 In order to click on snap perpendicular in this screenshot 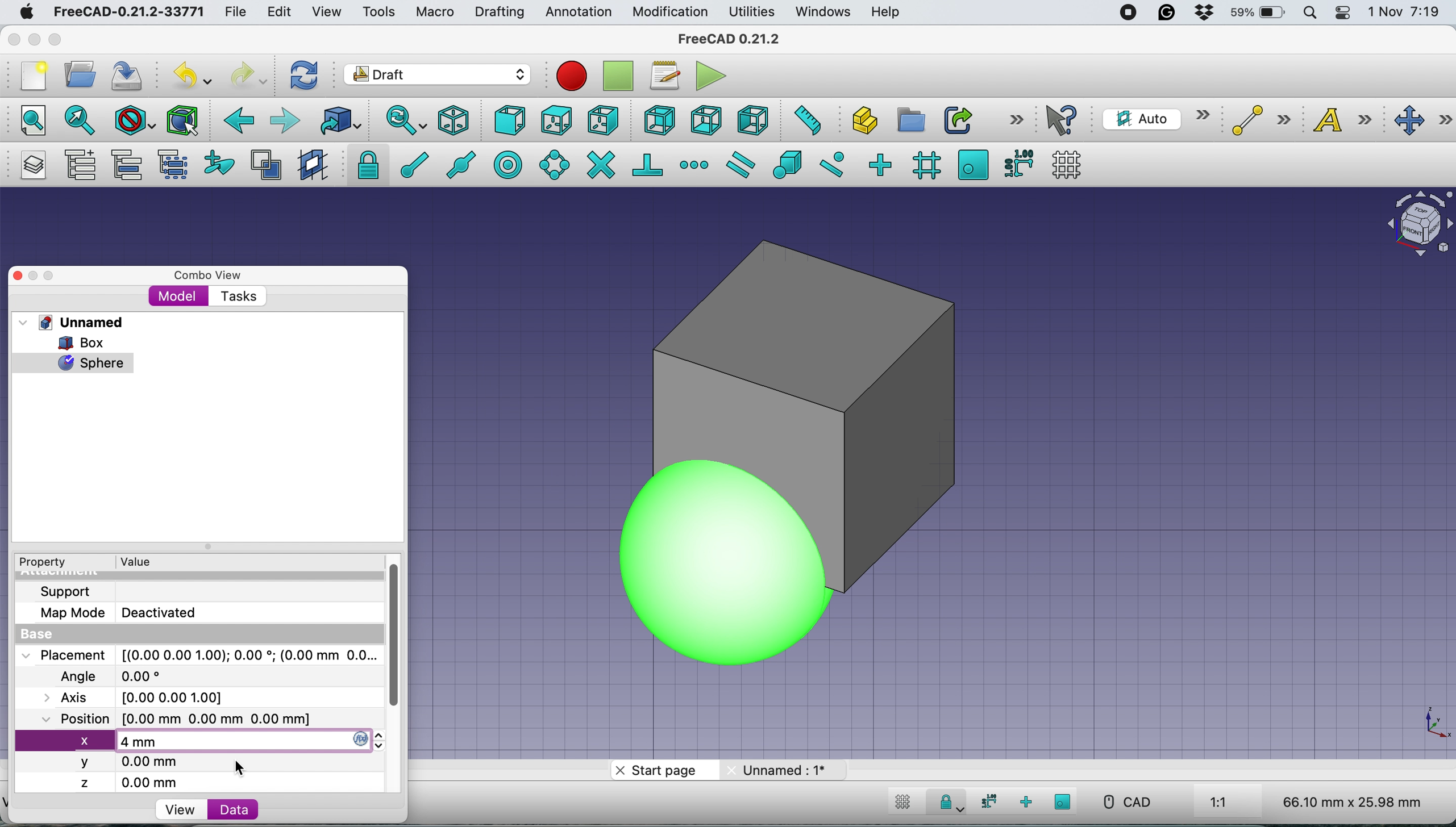, I will do `click(649, 164)`.